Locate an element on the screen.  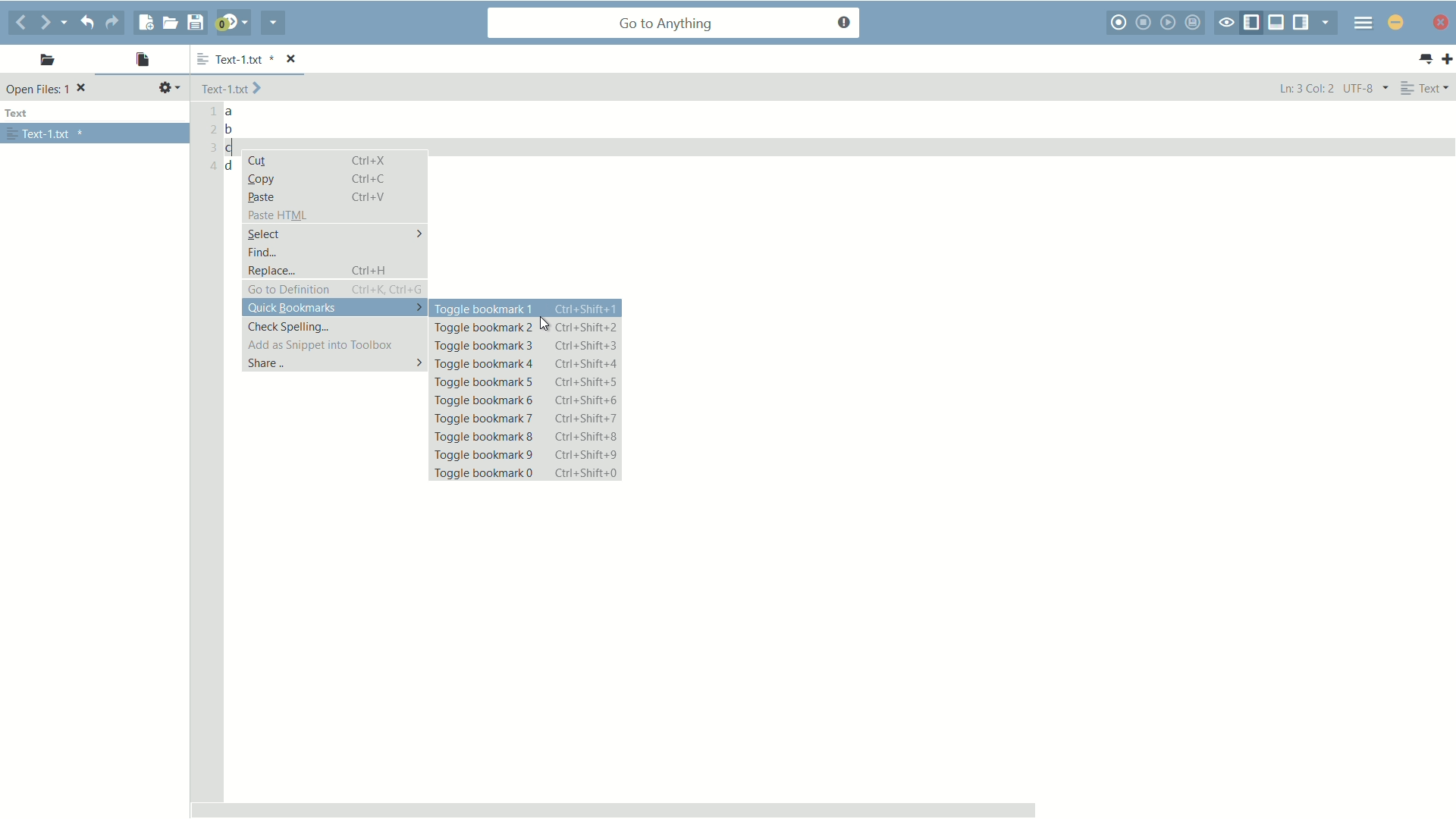
share.. is located at coordinates (334, 364).